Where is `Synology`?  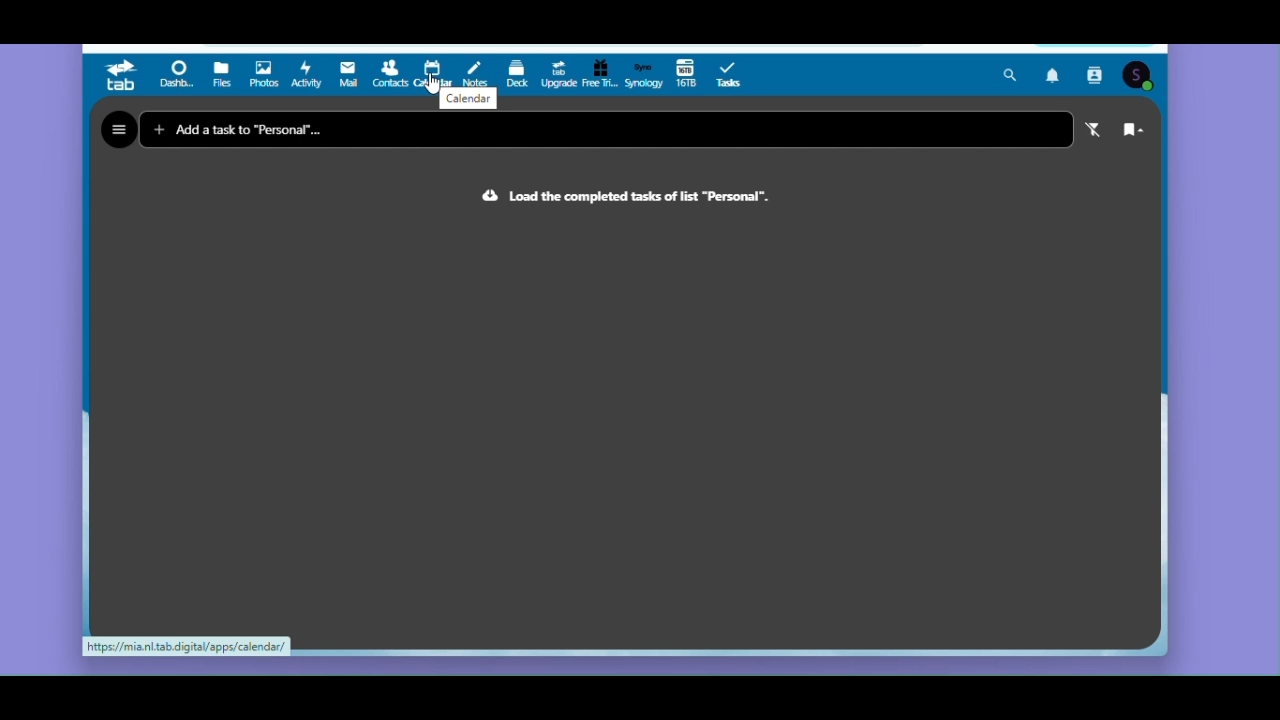
Synology is located at coordinates (643, 74).